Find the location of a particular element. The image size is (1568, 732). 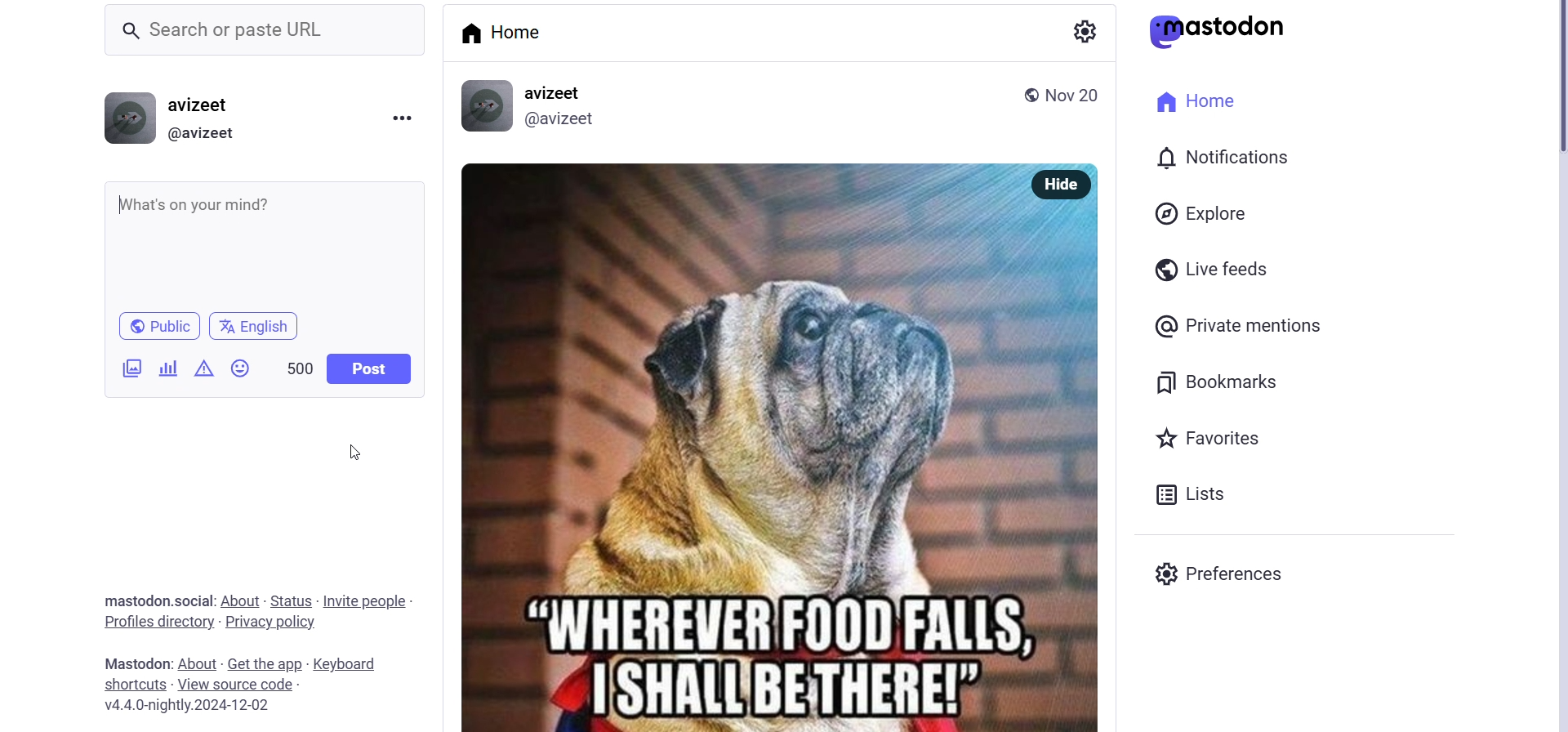

private mentions is located at coordinates (1258, 323).